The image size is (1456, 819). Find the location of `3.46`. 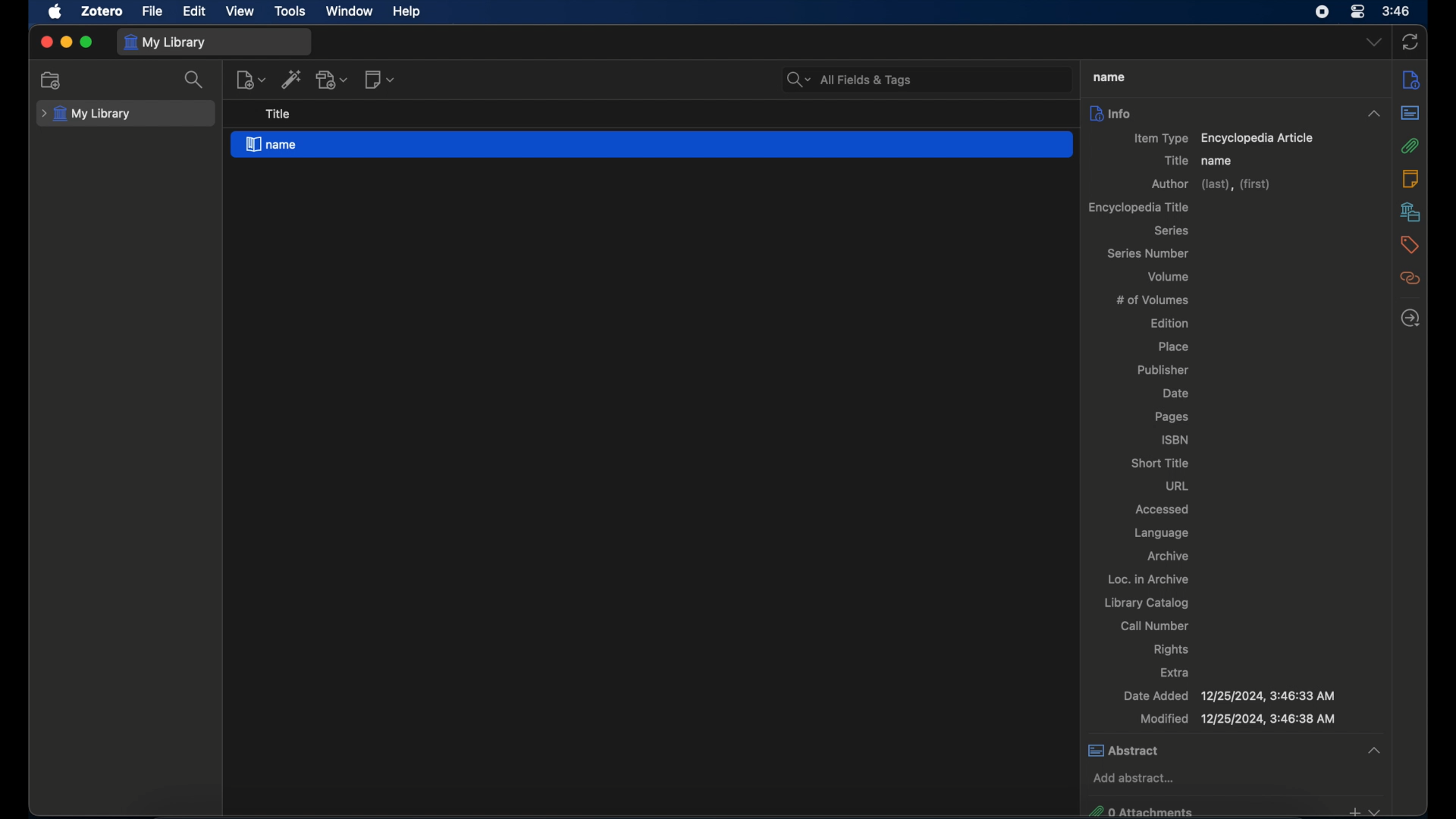

3.46 is located at coordinates (1397, 11).